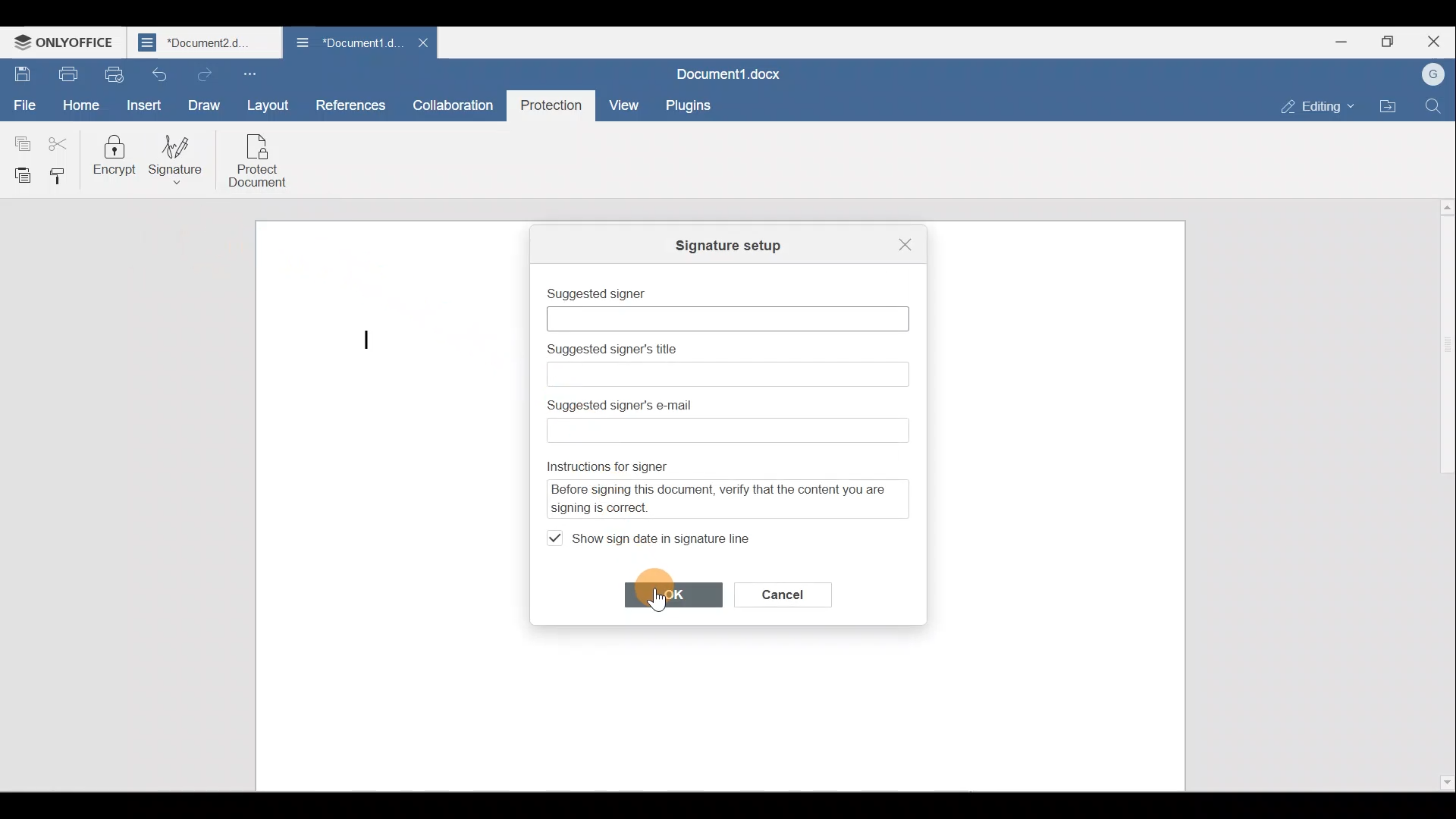 This screenshot has width=1456, height=819. Describe the element at coordinates (729, 318) in the screenshot. I see `Text box` at that location.